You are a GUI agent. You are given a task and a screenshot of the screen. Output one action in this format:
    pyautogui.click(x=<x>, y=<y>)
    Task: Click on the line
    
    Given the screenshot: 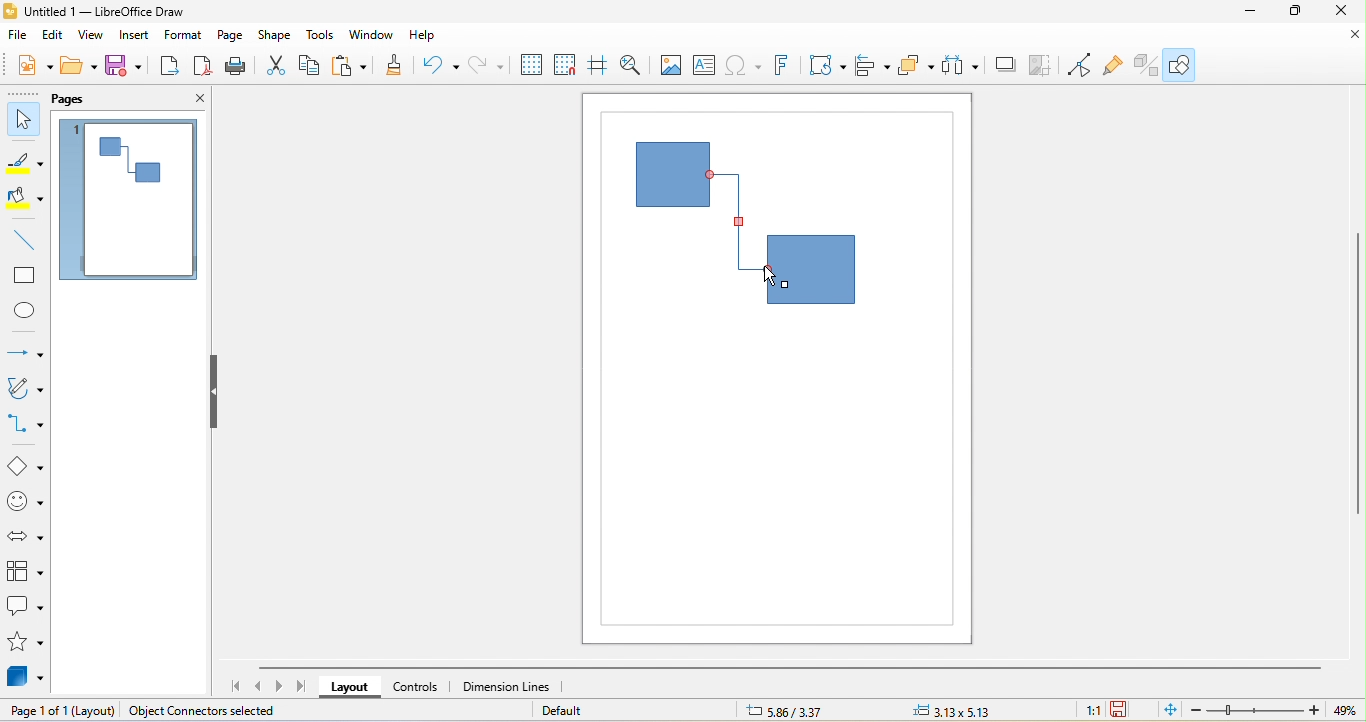 What is the action you would take?
    pyautogui.click(x=24, y=240)
    